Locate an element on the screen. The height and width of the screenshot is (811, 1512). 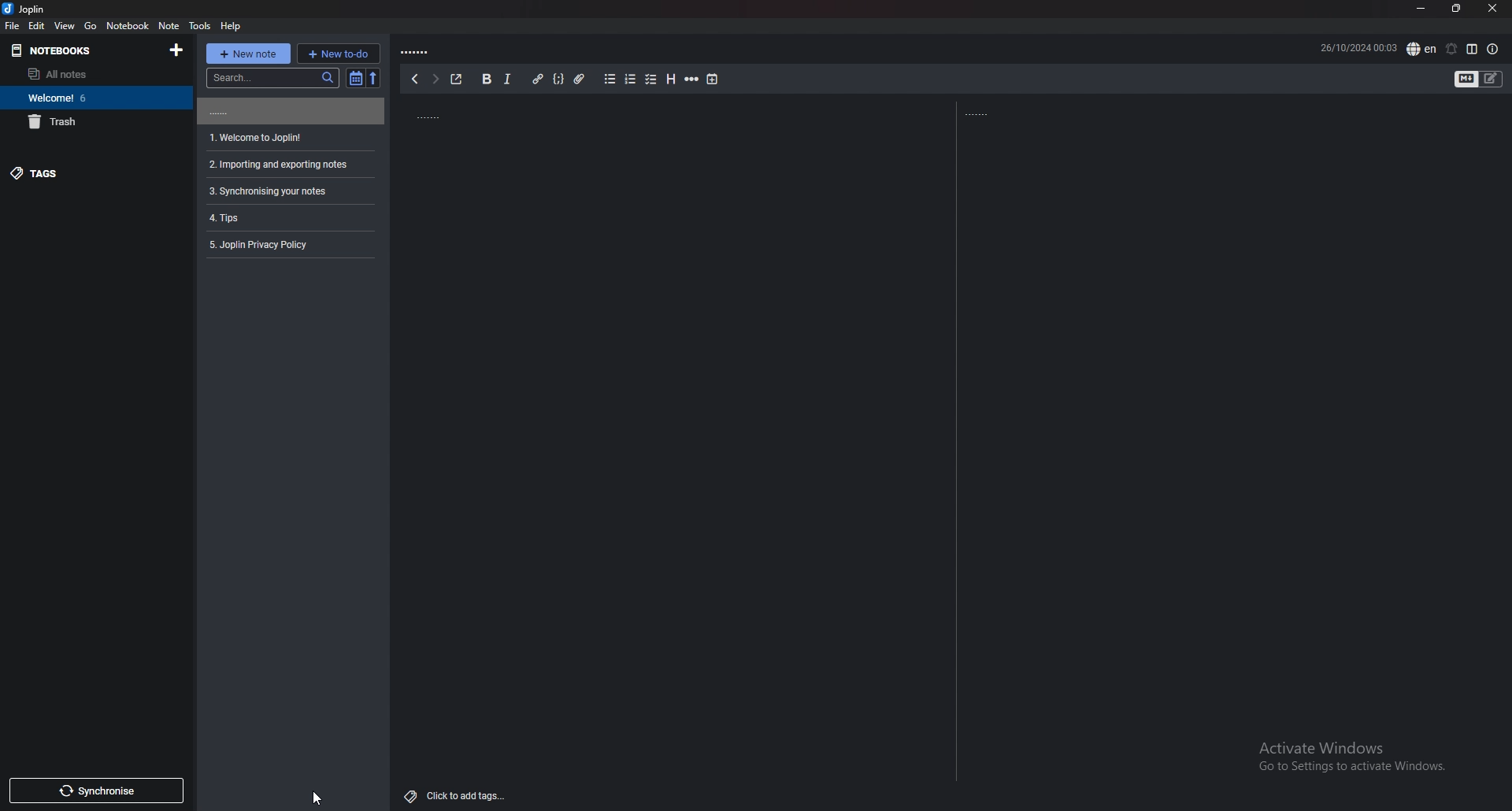
bulleted list is located at coordinates (611, 79).